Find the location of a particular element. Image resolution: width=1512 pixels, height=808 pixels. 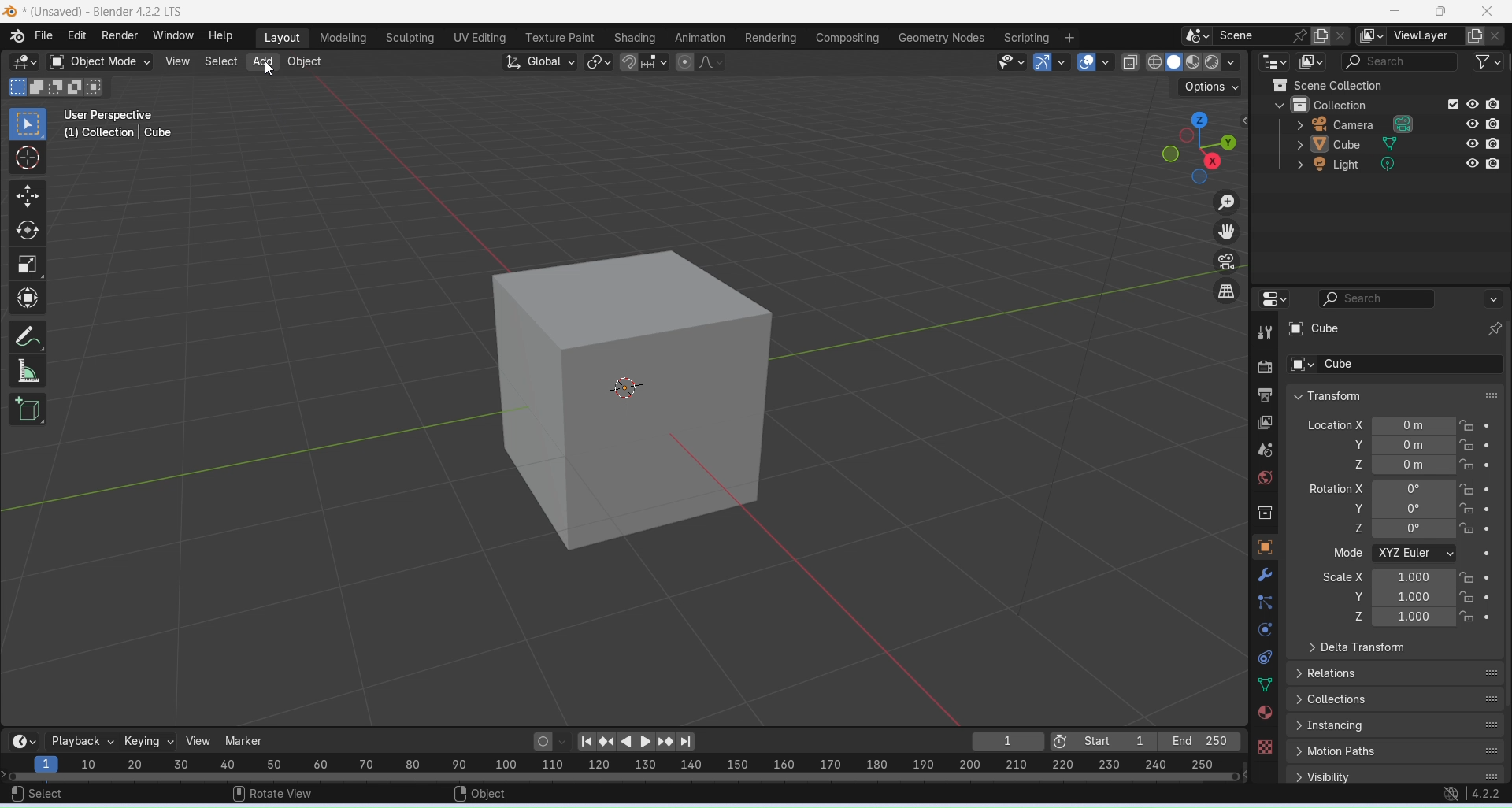

Annotate is located at coordinates (29, 336).